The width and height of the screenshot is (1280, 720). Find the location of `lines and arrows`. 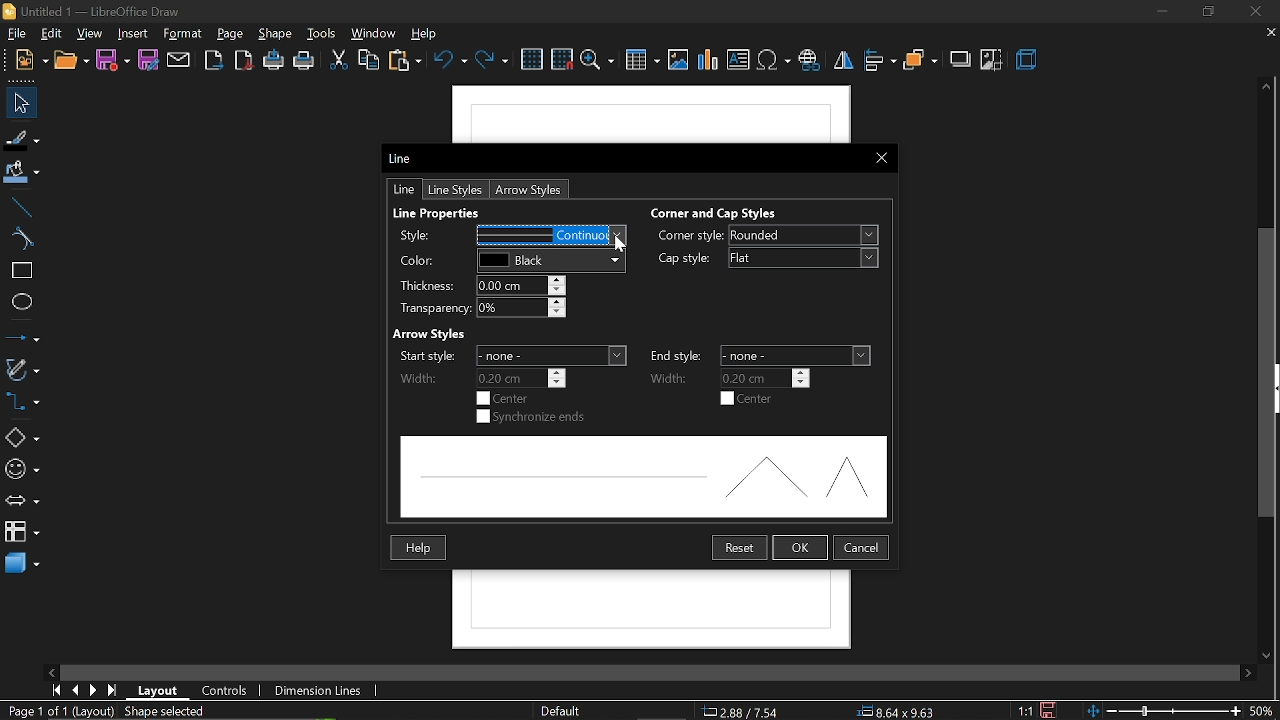

lines and arrows is located at coordinates (24, 336).